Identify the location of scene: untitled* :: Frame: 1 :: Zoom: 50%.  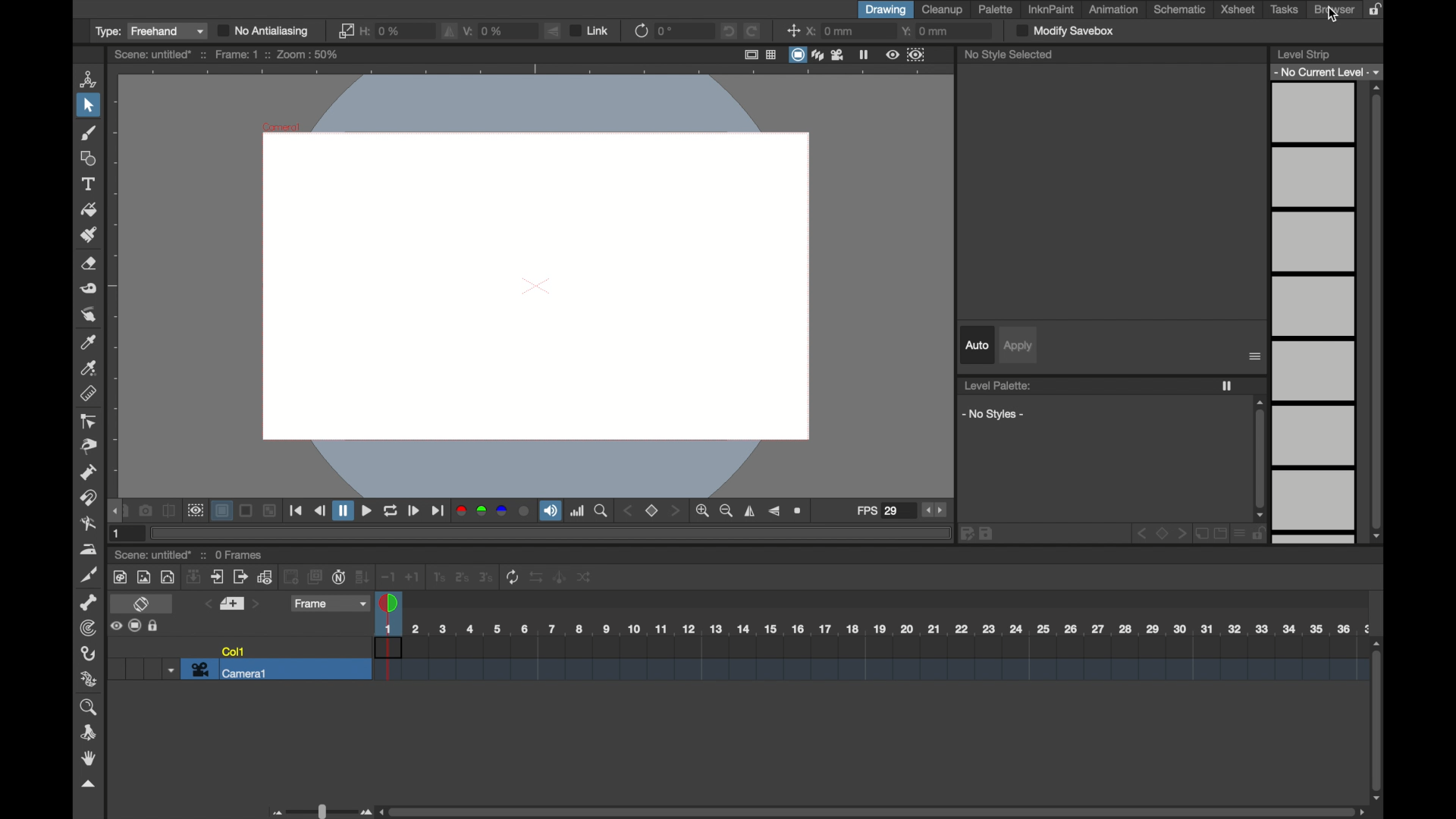
(230, 55).